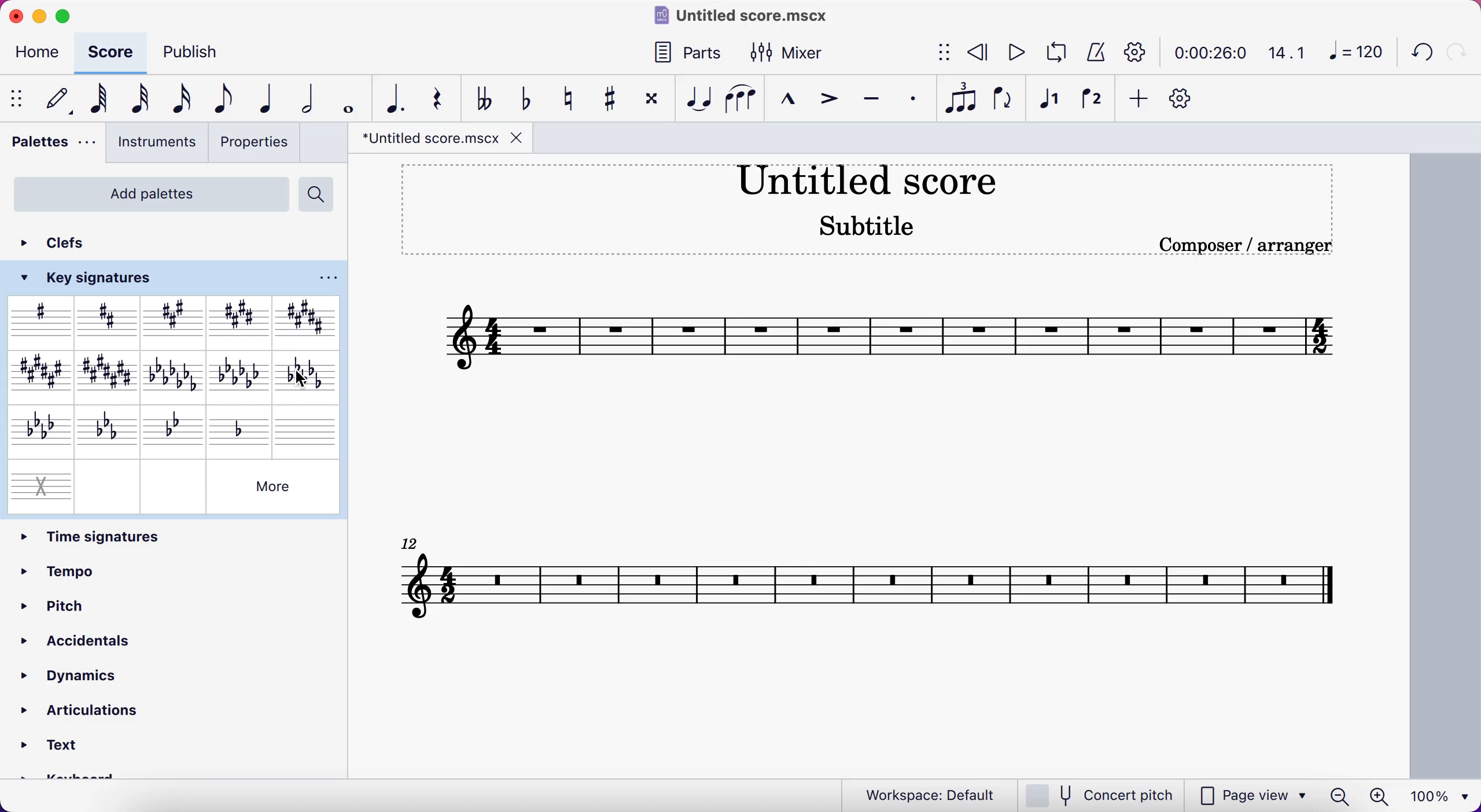 This screenshot has height=812, width=1481. What do you see at coordinates (441, 142) in the screenshot?
I see `file tab` at bounding box center [441, 142].